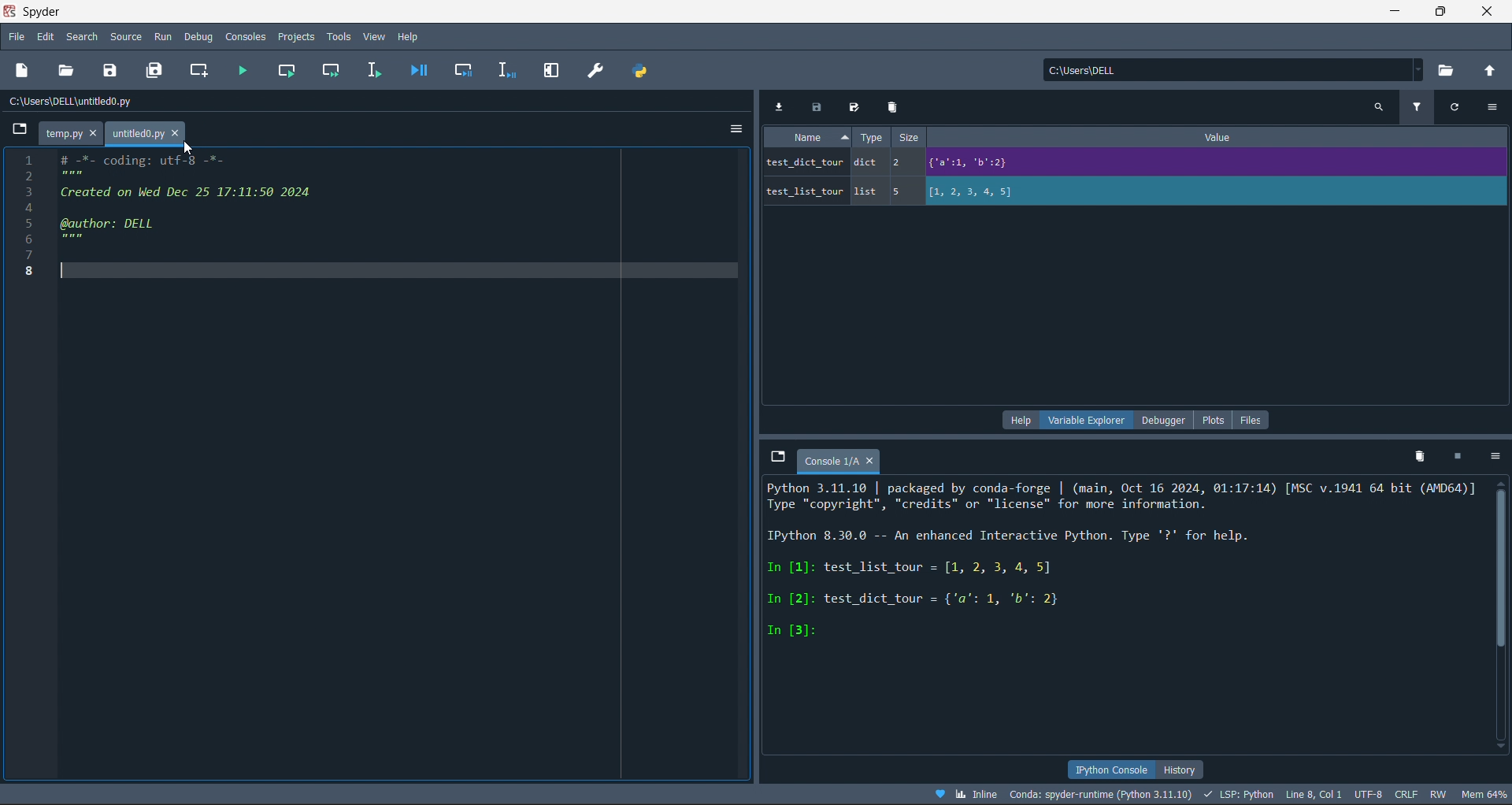 Image resolution: width=1512 pixels, height=805 pixels. Describe the element at coordinates (69, 70) in the screenshot. I see `open file` at that location.